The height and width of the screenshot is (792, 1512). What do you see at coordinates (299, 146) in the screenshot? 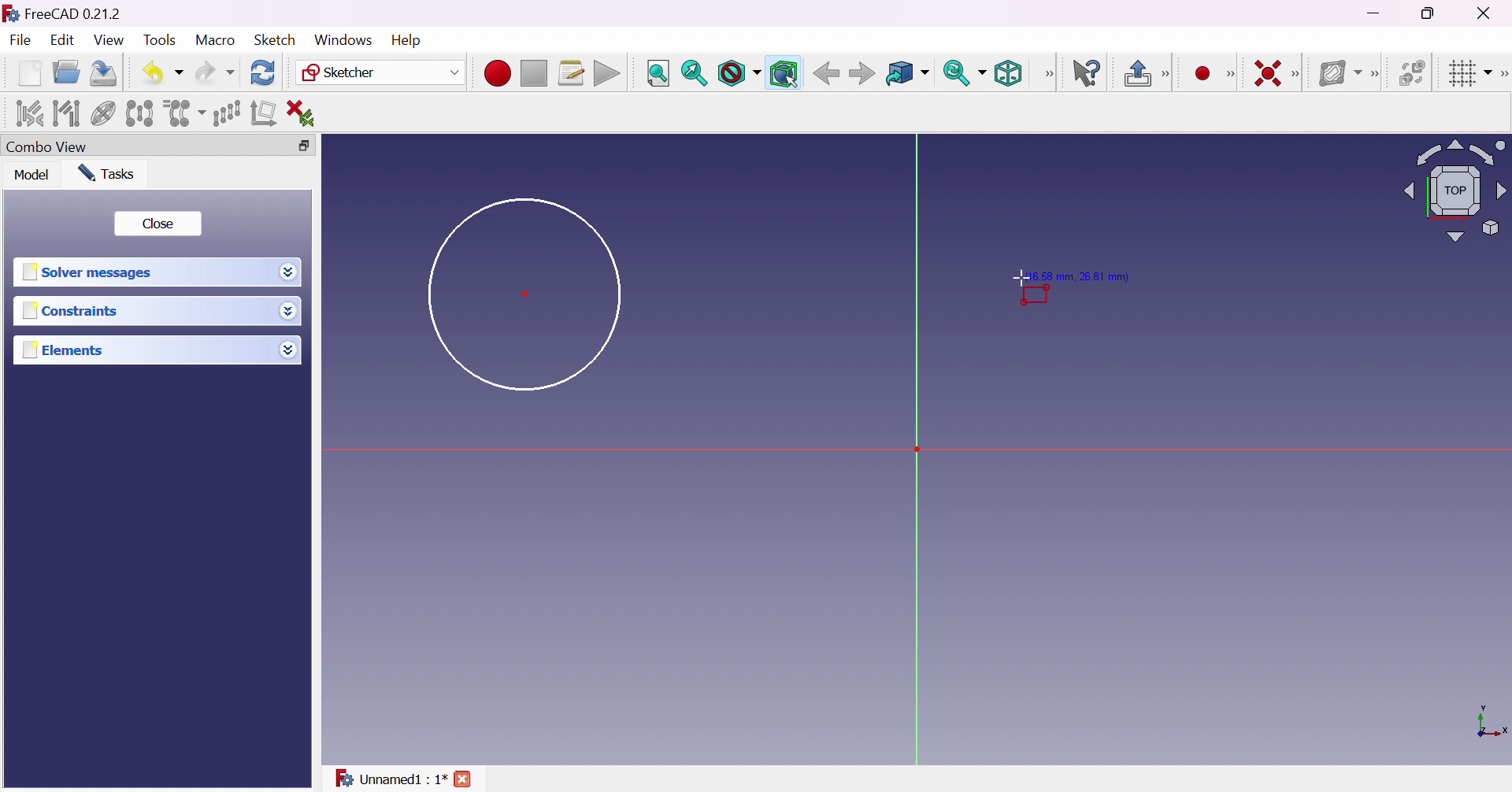
I see `Restore down` at bounding box center [299, 146].